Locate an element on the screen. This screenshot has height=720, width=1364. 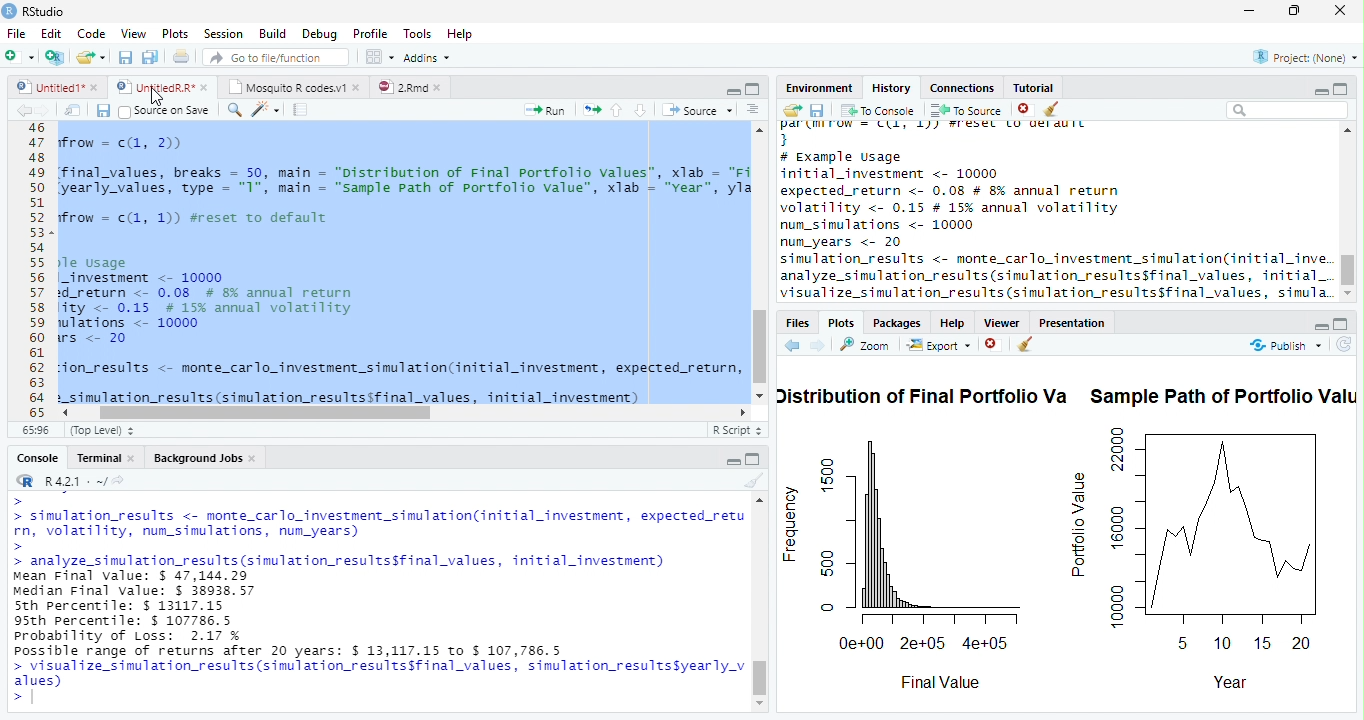
Go to next section of code is located at coordinates (642, 111).